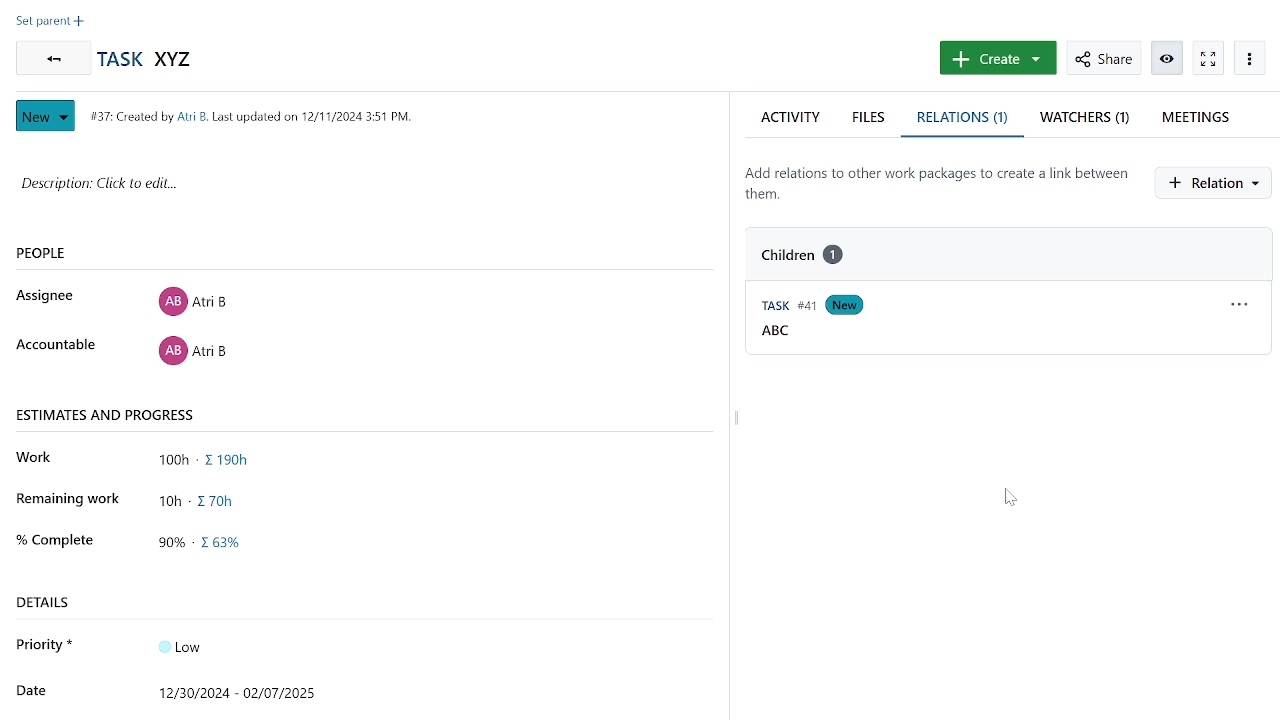 This screenshot has width=1280, height=720. What do you see at coordinates (996, 58) in the screenshot?
I see `create` at bounding box center [996, 58].